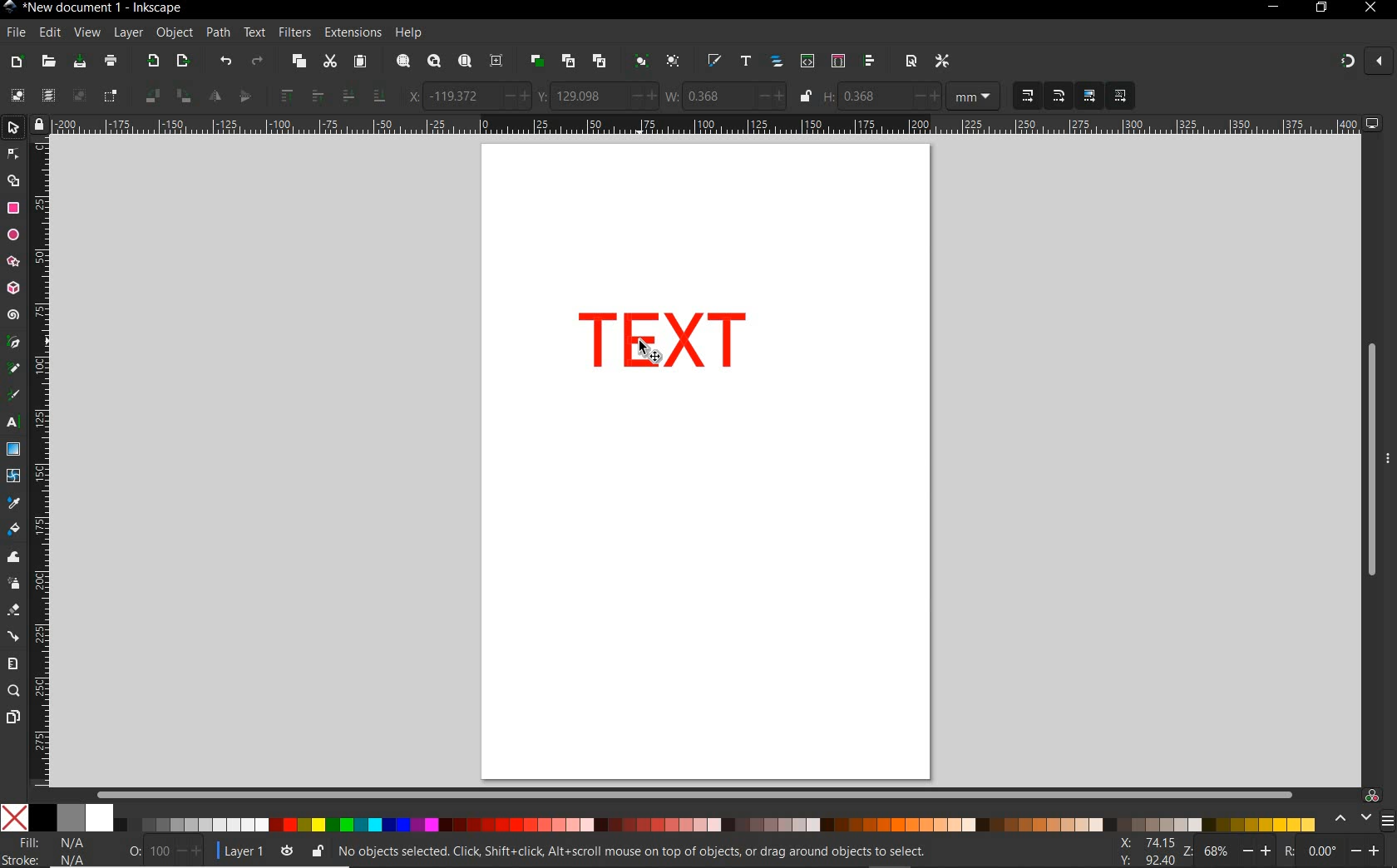  What do you see at coordinates (407, 34) in the screenshot?
I see `HELP` at bounding box center [407, 34].